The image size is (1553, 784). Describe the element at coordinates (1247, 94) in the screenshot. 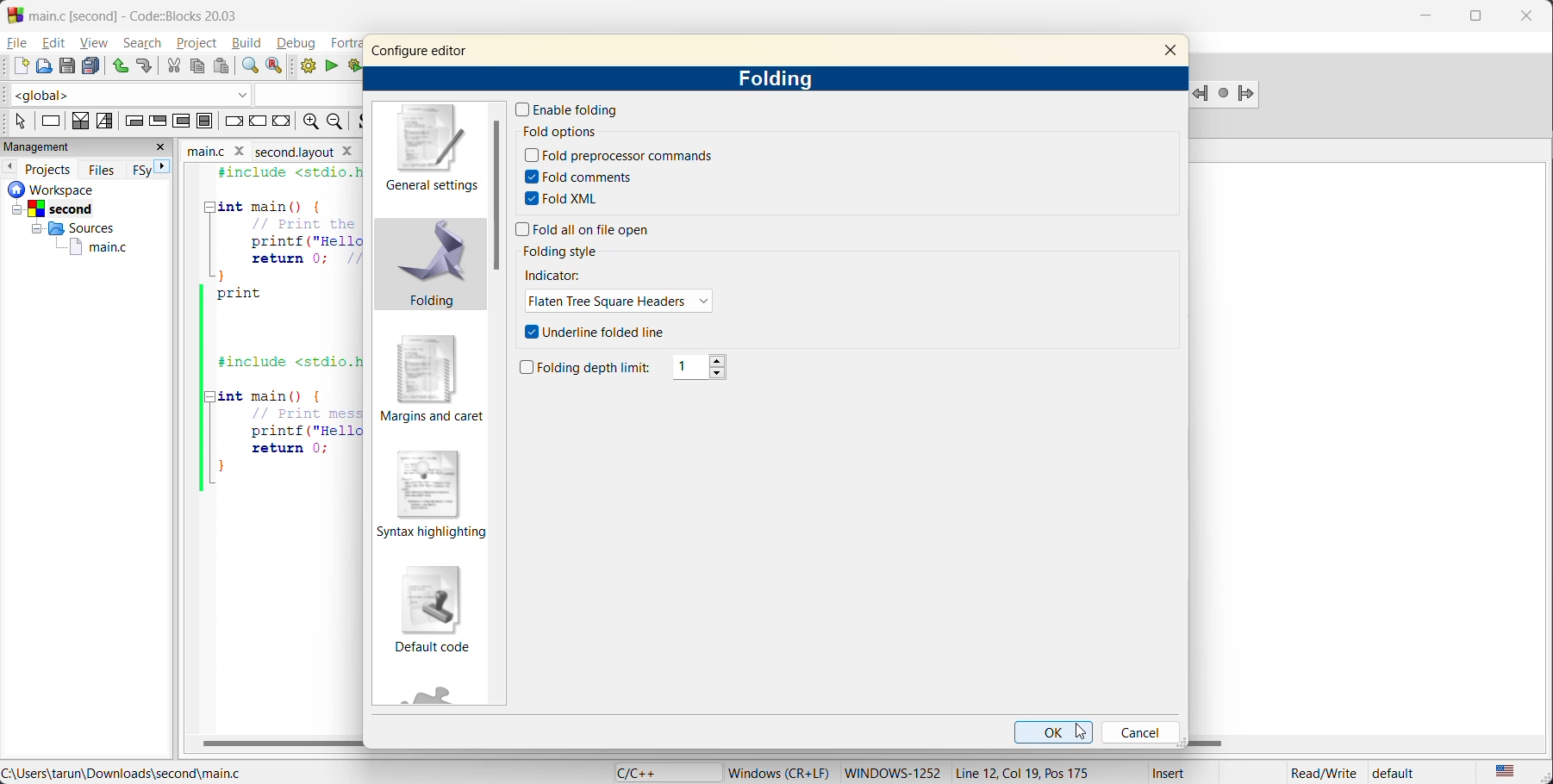

I see `jump forward` at that location.